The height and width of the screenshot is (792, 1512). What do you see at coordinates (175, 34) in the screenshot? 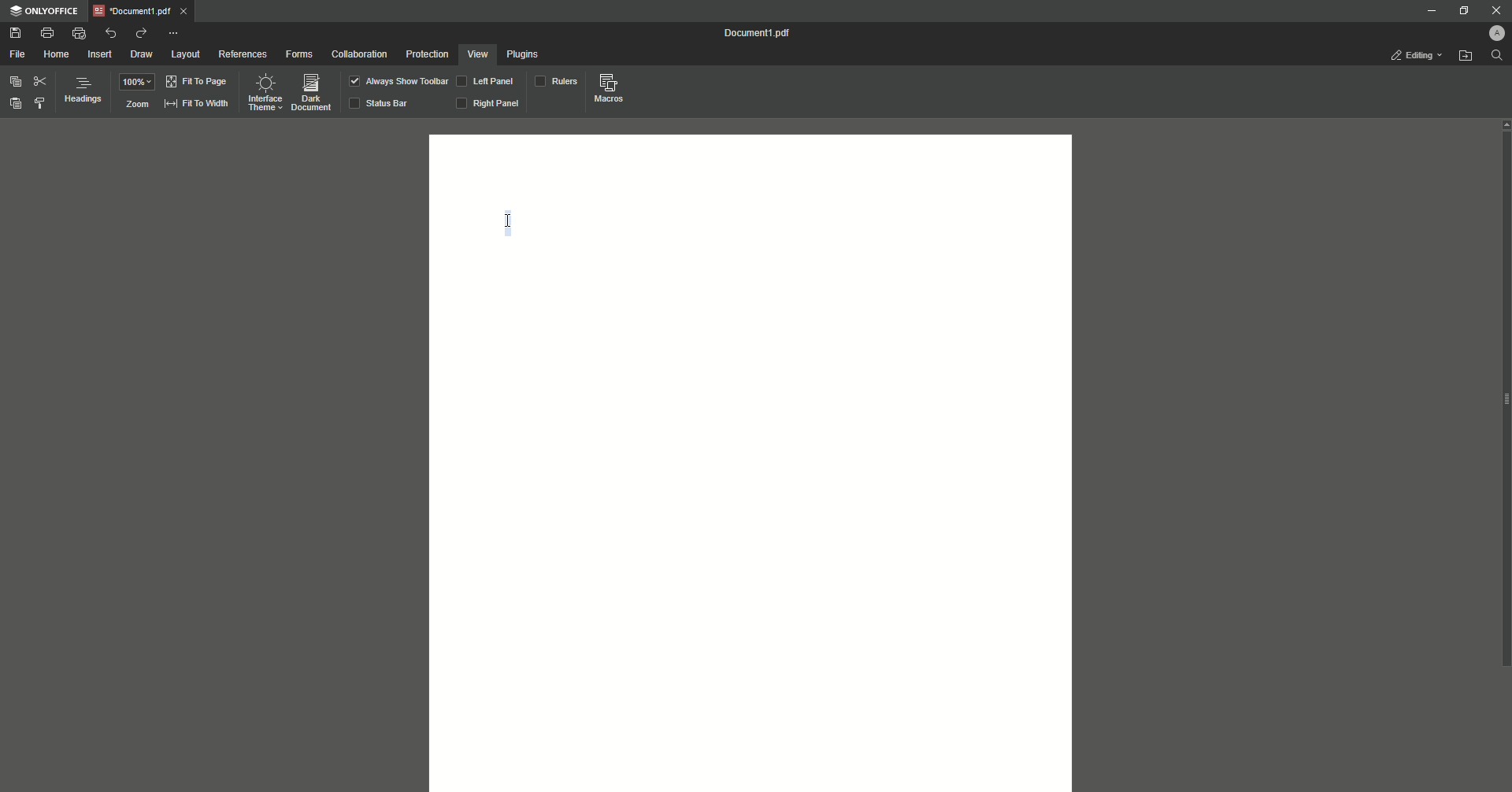
I see `Options` at bounding box center [175, 34].